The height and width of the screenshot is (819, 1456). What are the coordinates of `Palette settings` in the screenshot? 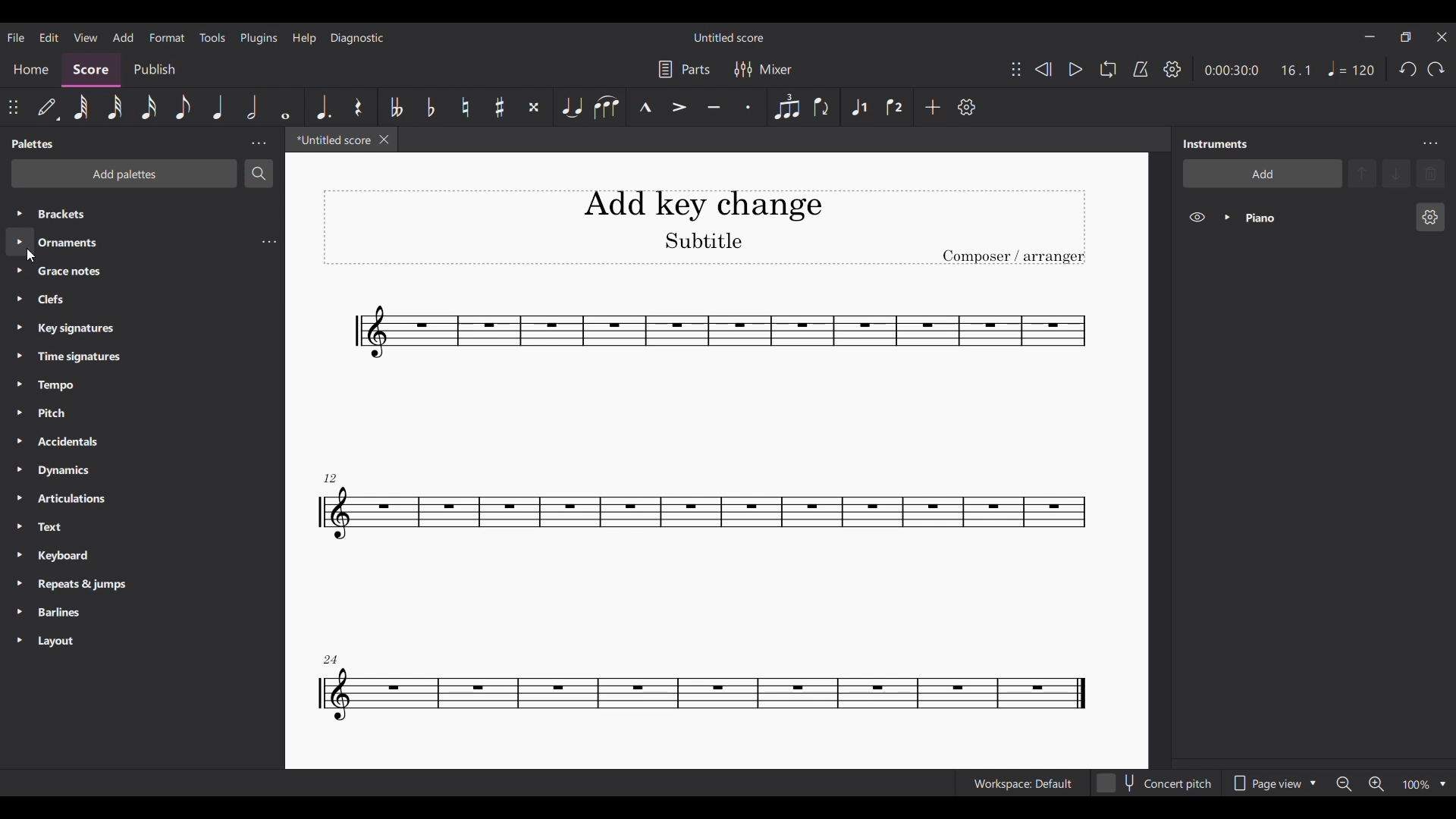 It's located at (259, 143).